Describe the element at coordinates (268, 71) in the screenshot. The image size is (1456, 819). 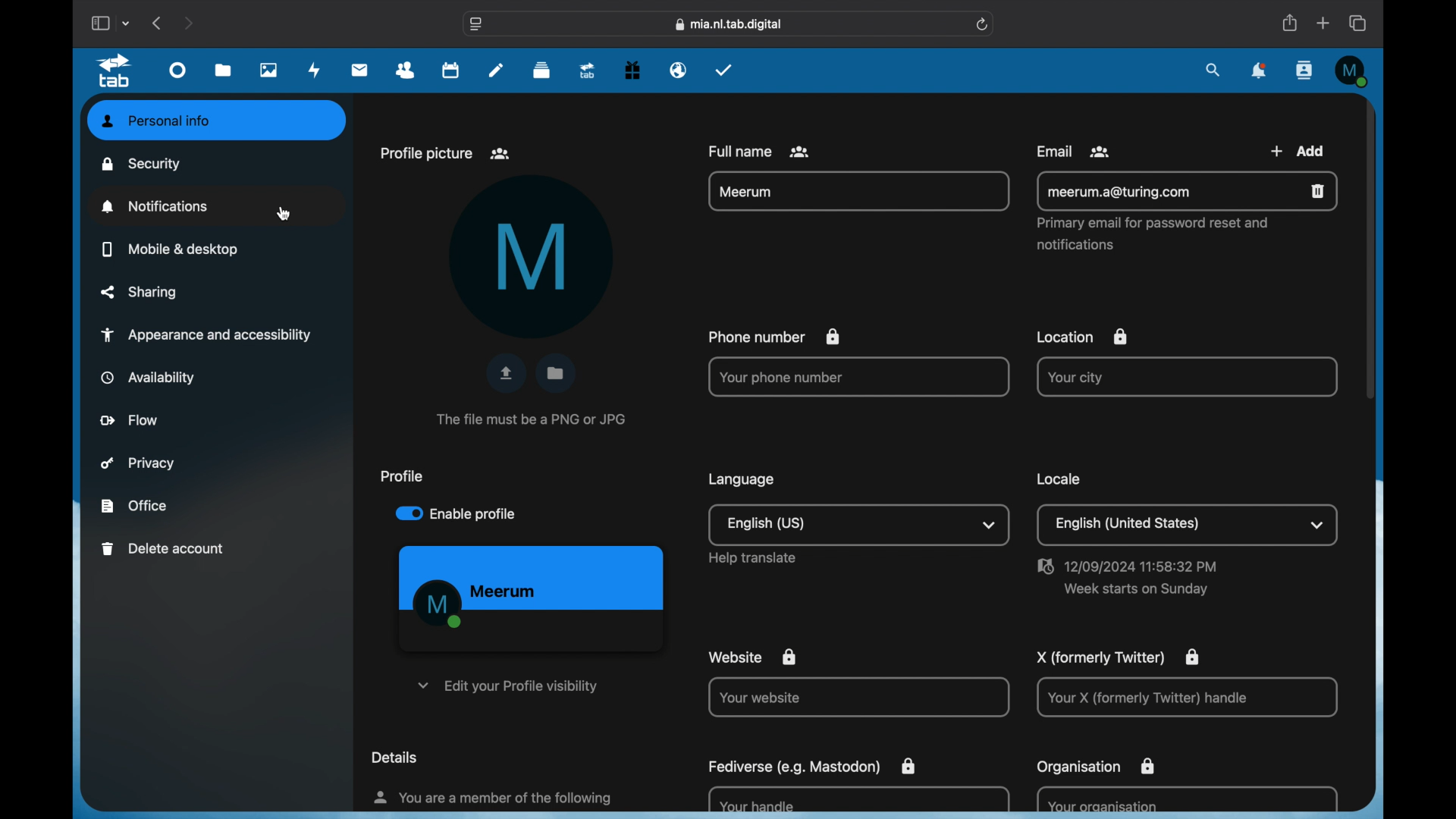
I see `photos` at that location.